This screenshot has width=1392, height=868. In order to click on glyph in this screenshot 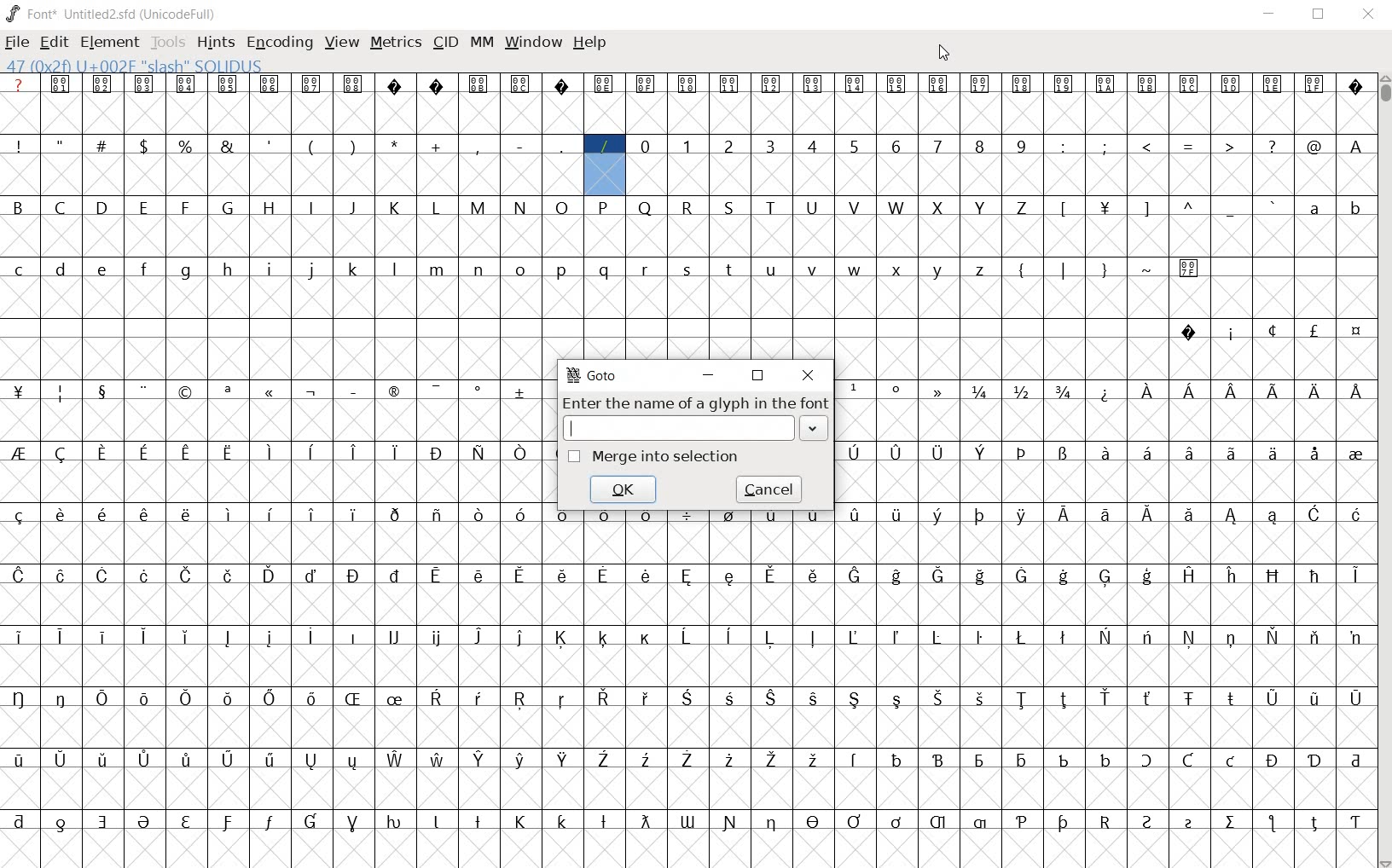, I will do `click(814, 759)`.